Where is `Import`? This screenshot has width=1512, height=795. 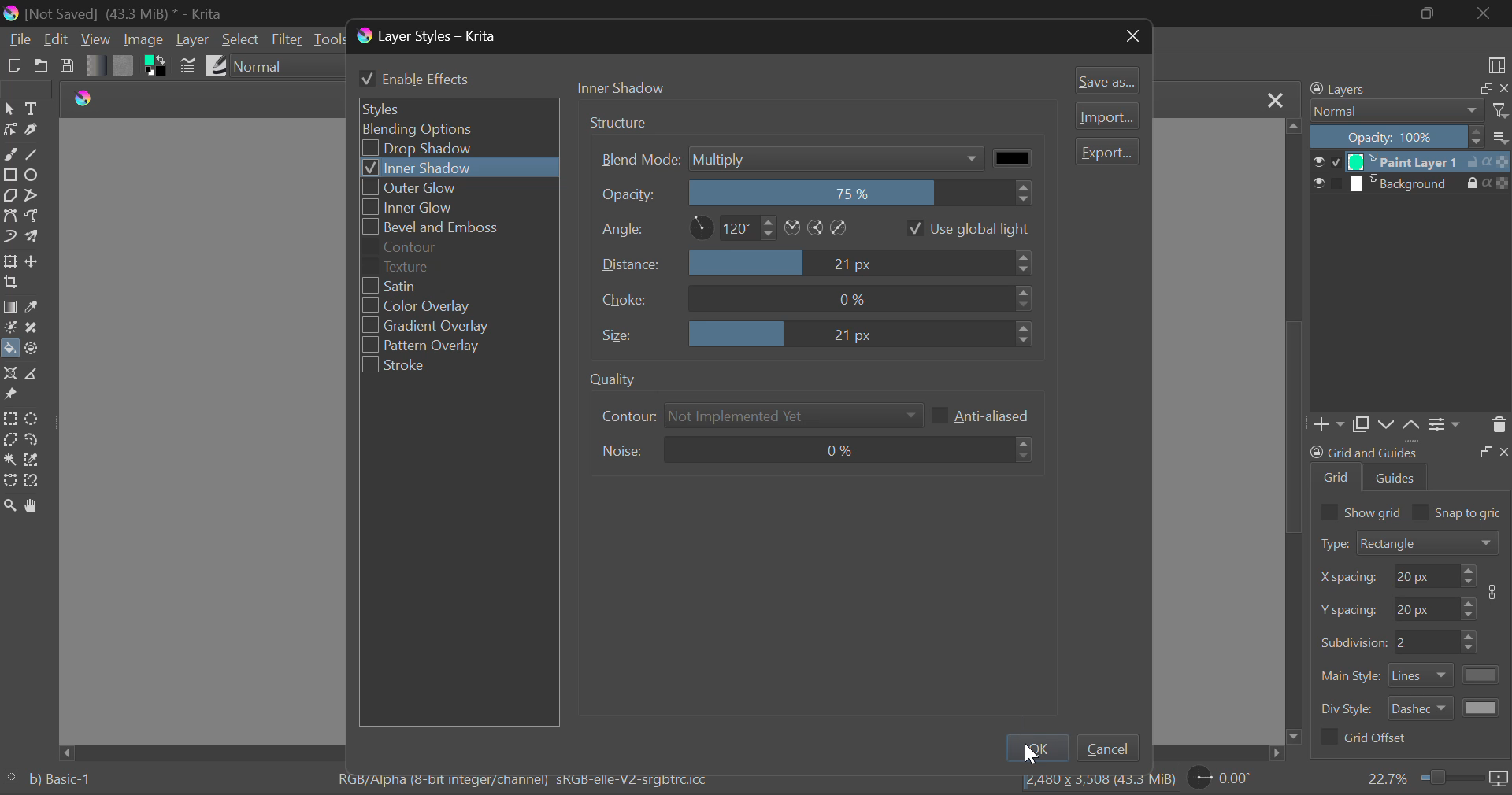
Import is located at coordinates (1106, 116).